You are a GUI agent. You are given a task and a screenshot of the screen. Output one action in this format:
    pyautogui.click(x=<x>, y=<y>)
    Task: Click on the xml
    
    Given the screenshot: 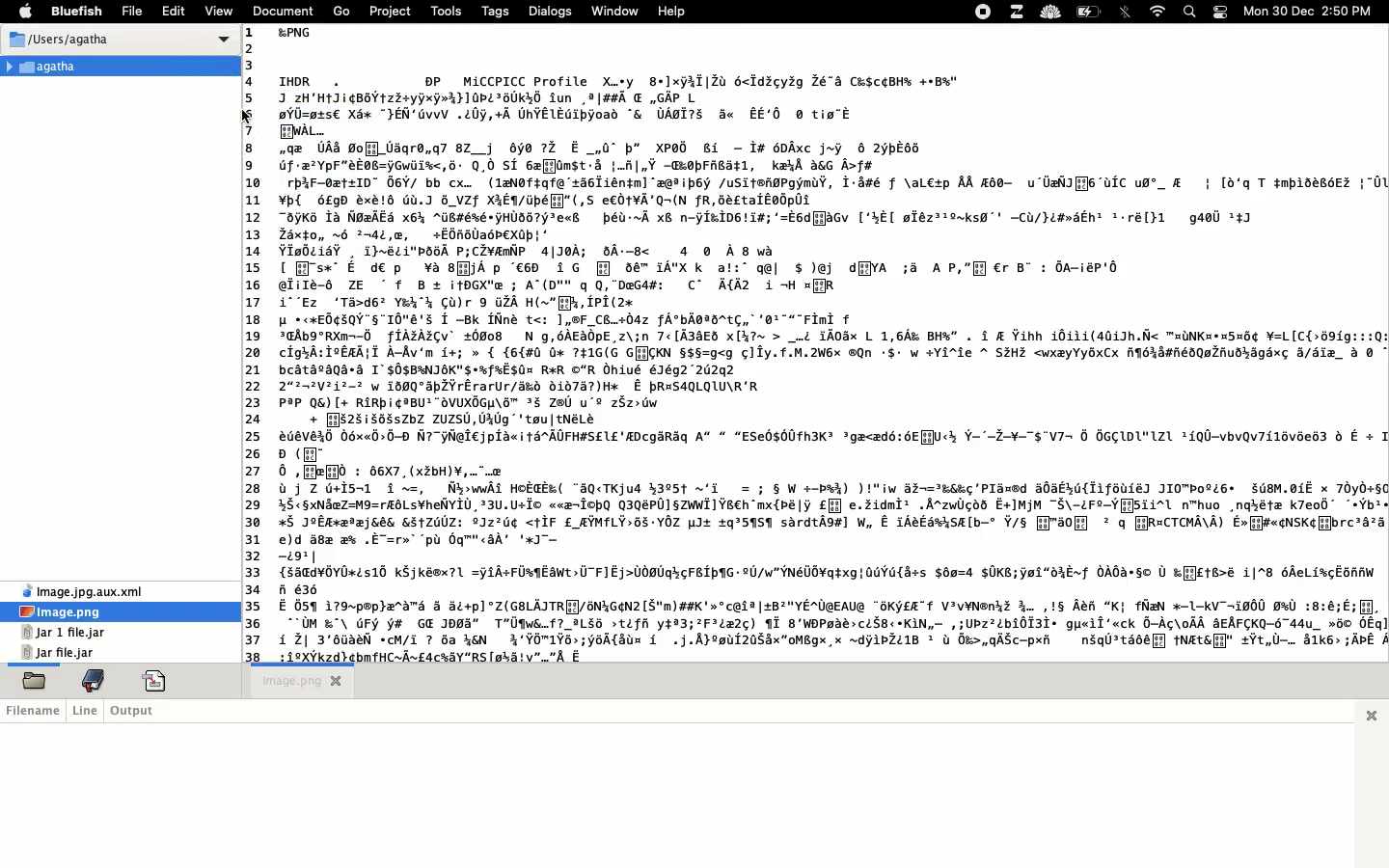 What is the action you would take?
    pyautogui.click(x=83, y=588)
    